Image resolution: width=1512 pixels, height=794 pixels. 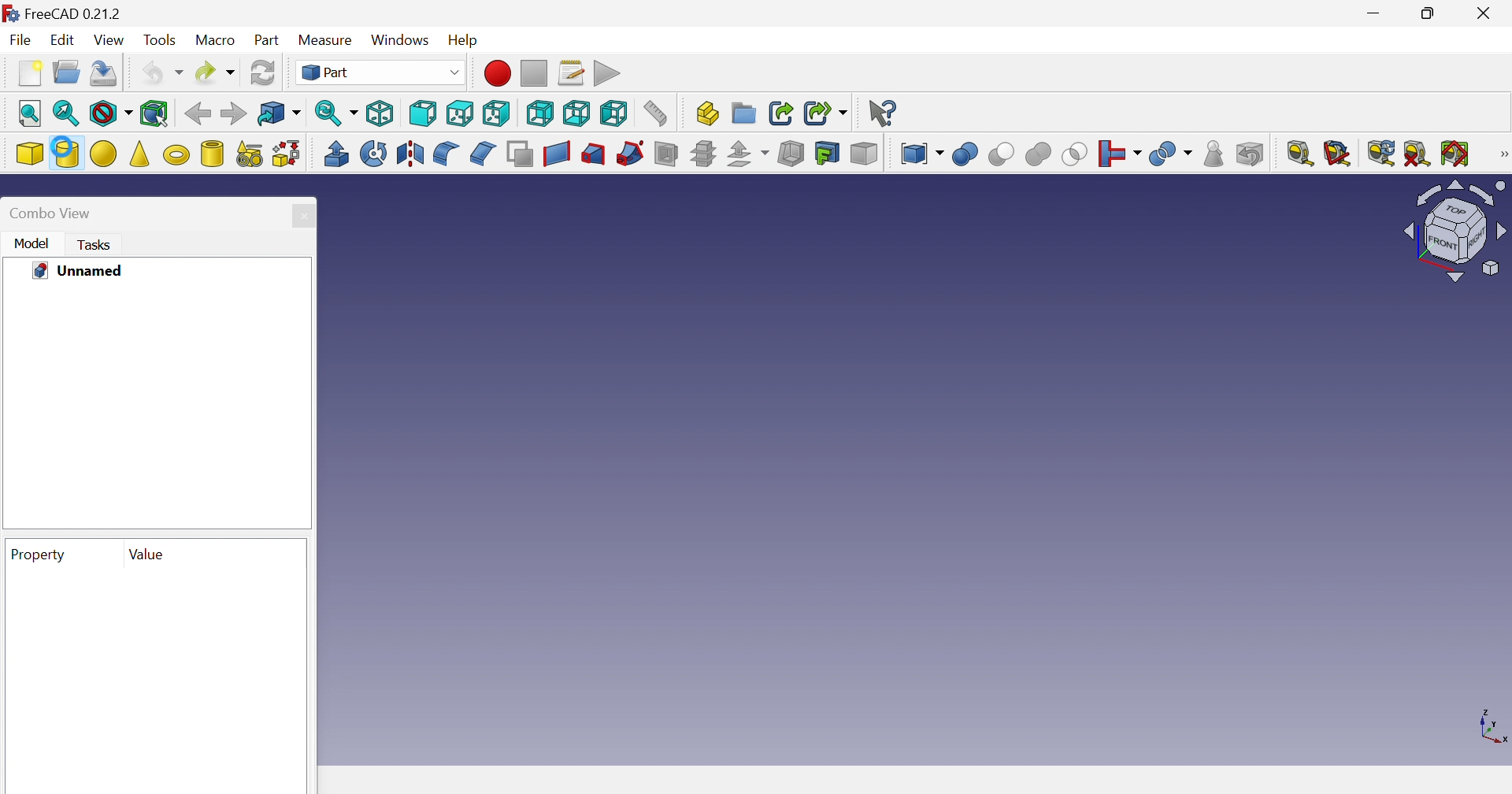 I want to click on Measure angular, so click(x=1337, y=154).